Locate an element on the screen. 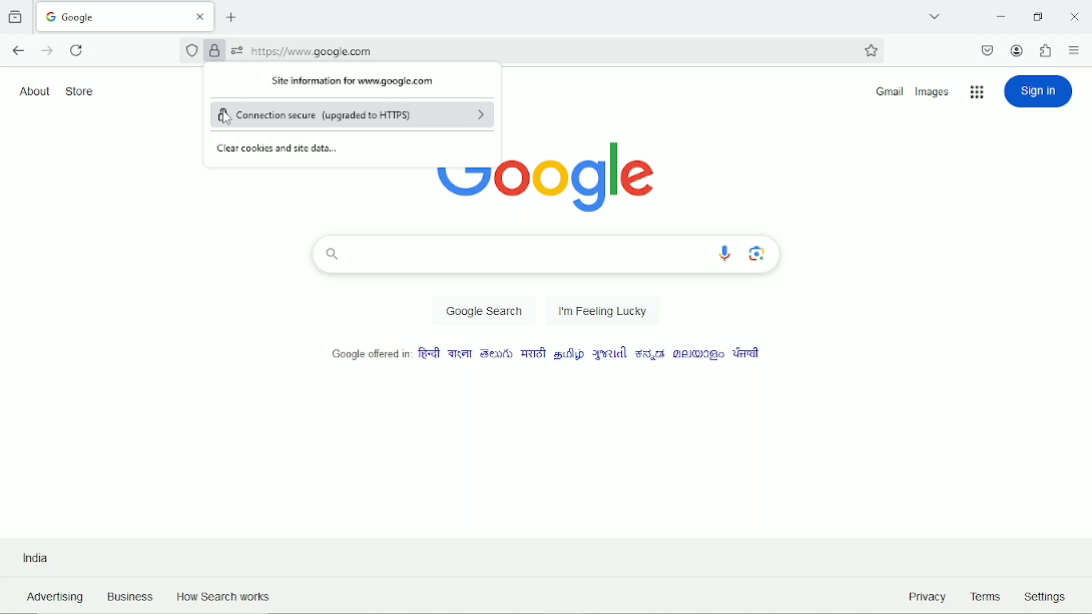  cursor is located at coordinates (230, 120).